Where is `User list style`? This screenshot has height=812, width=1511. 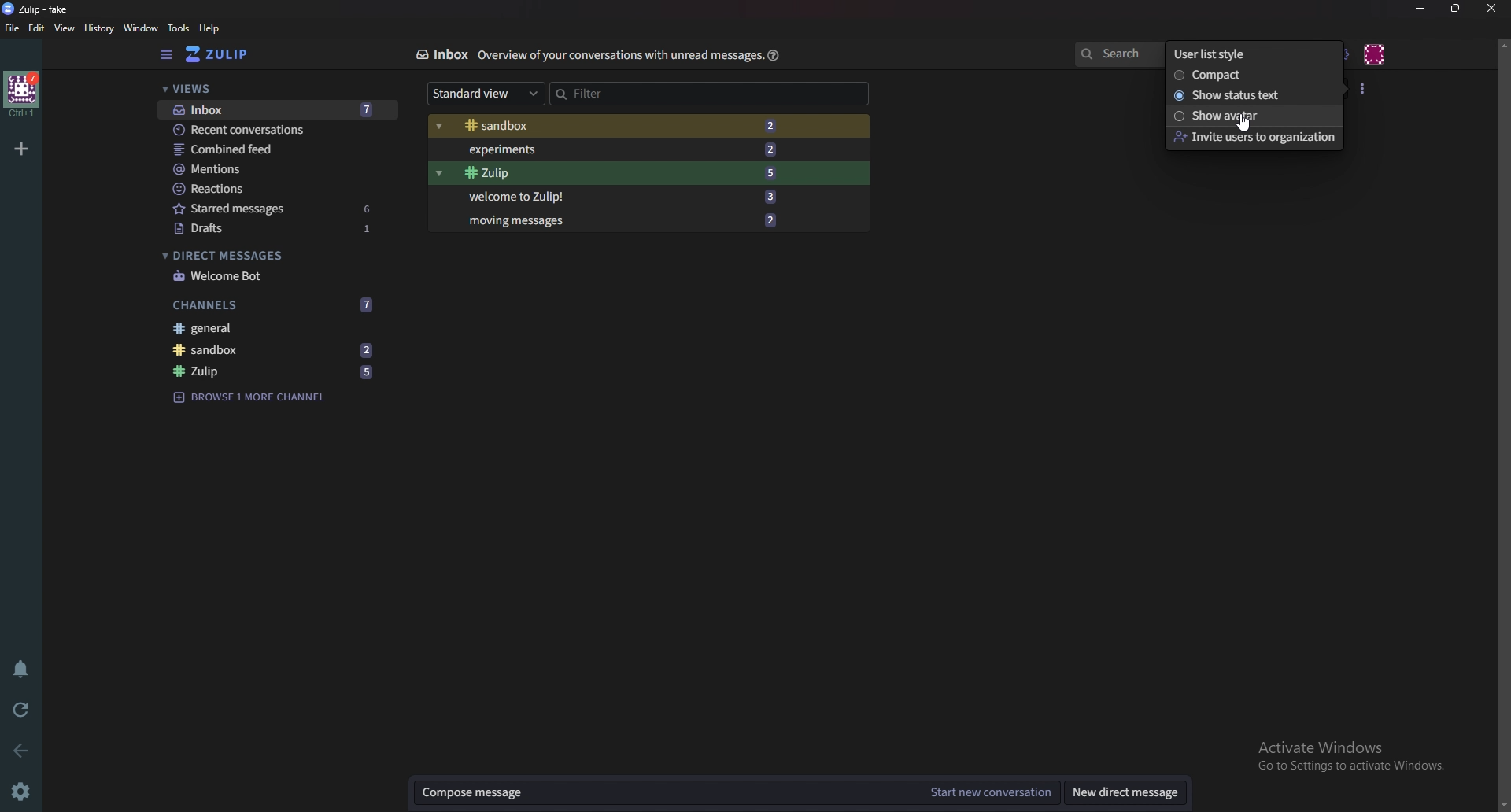 User list style is located at coordinates (1365, 90).